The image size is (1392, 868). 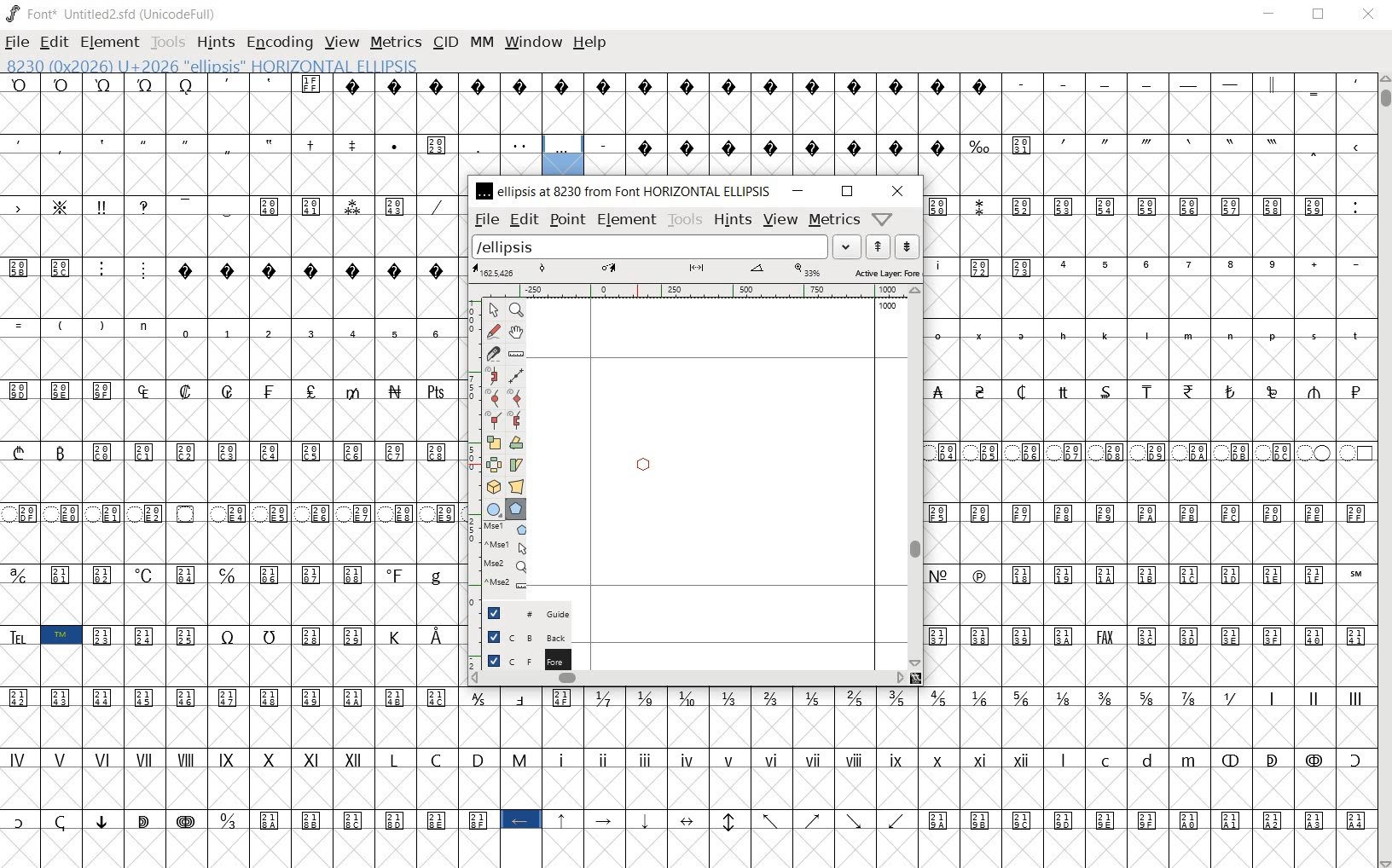 What do you see at coordinates (666, 246) in the screenshot?
I see `load word list` at bounding box center [666, 246].